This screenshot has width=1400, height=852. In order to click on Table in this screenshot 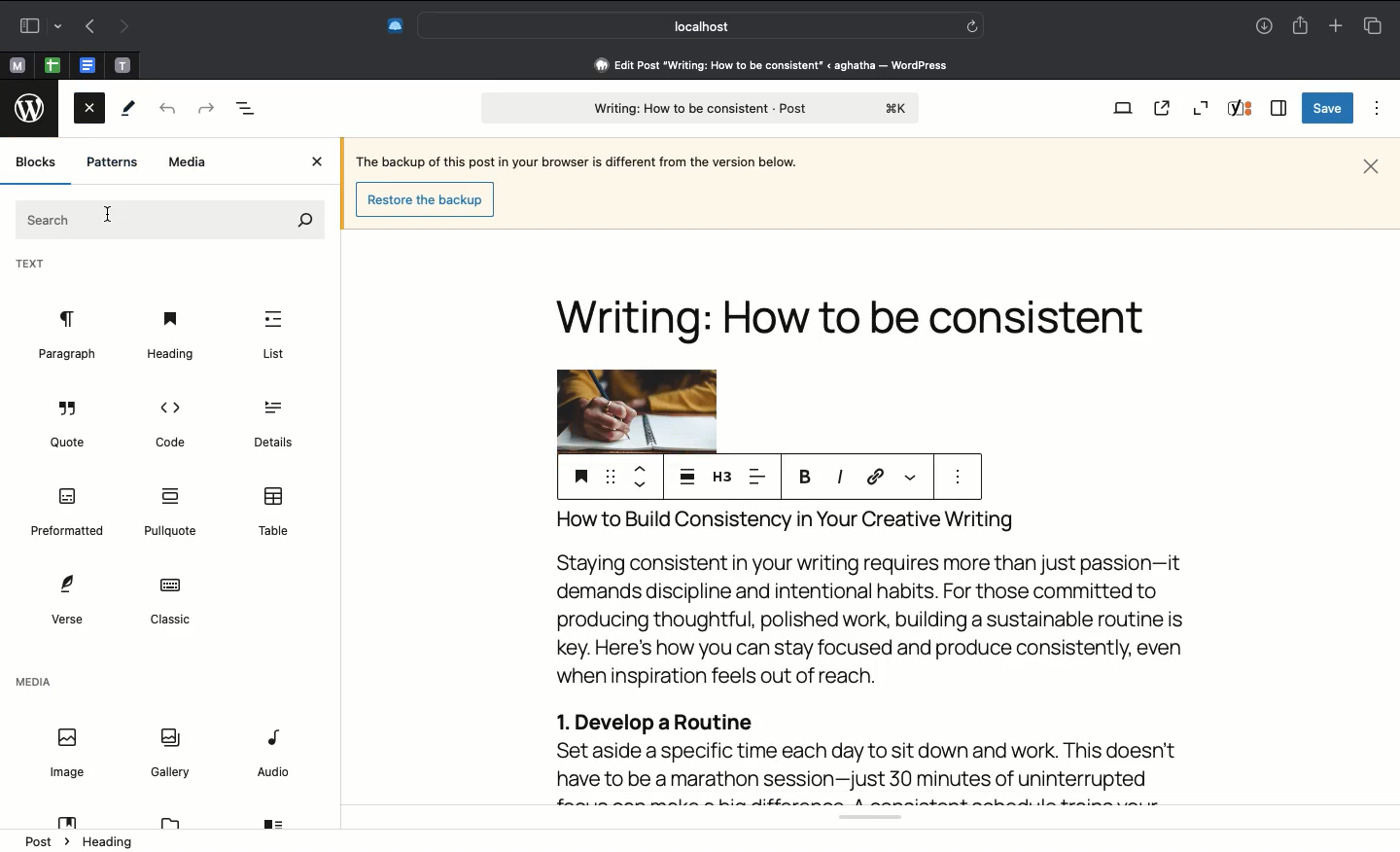, I will do `click(276, 512)`.